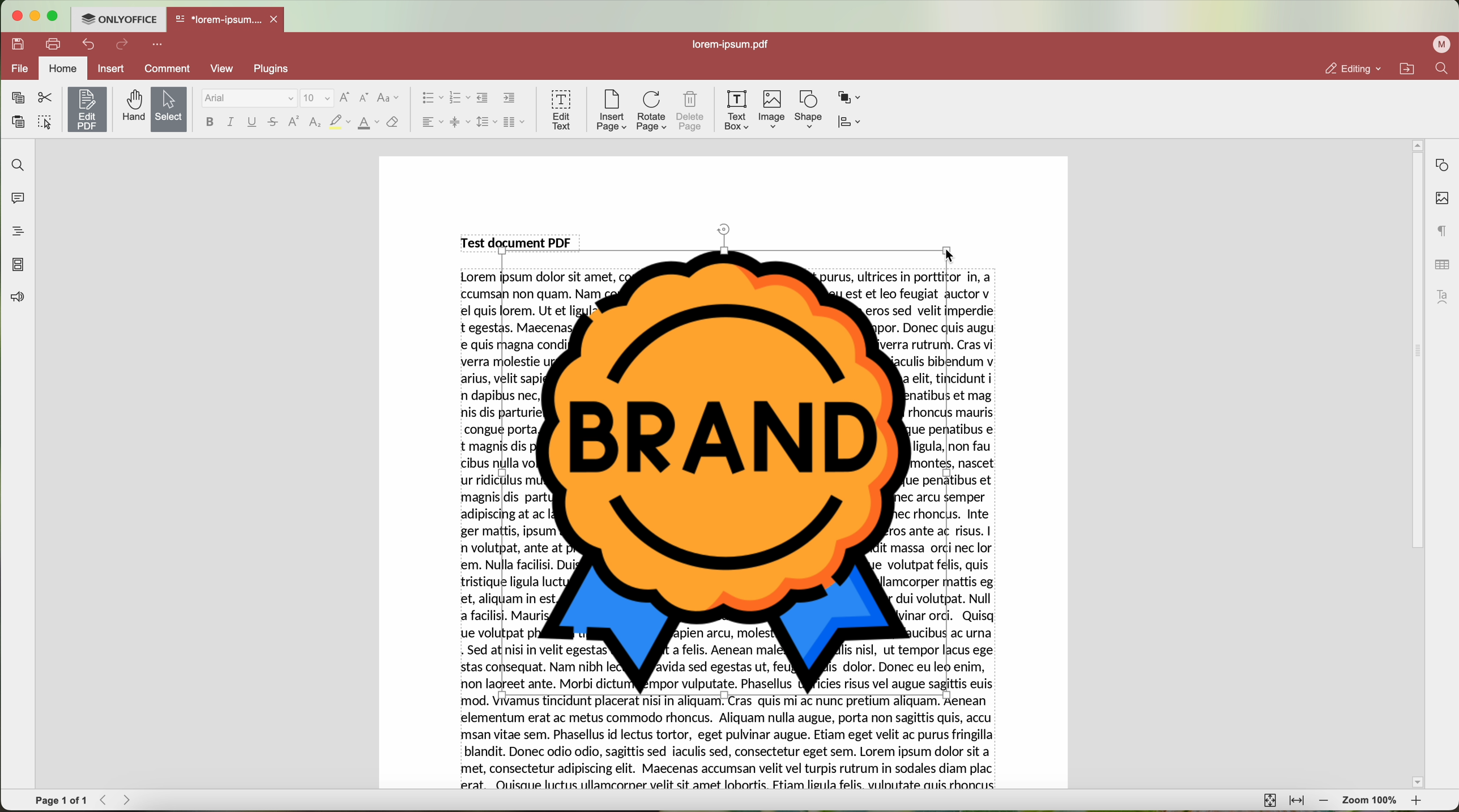 The image size is (1459, 812). What do you see at coordinates (1445, 297) in the screenshot?
I see `text art settings` at bounding box center [1445, 297].